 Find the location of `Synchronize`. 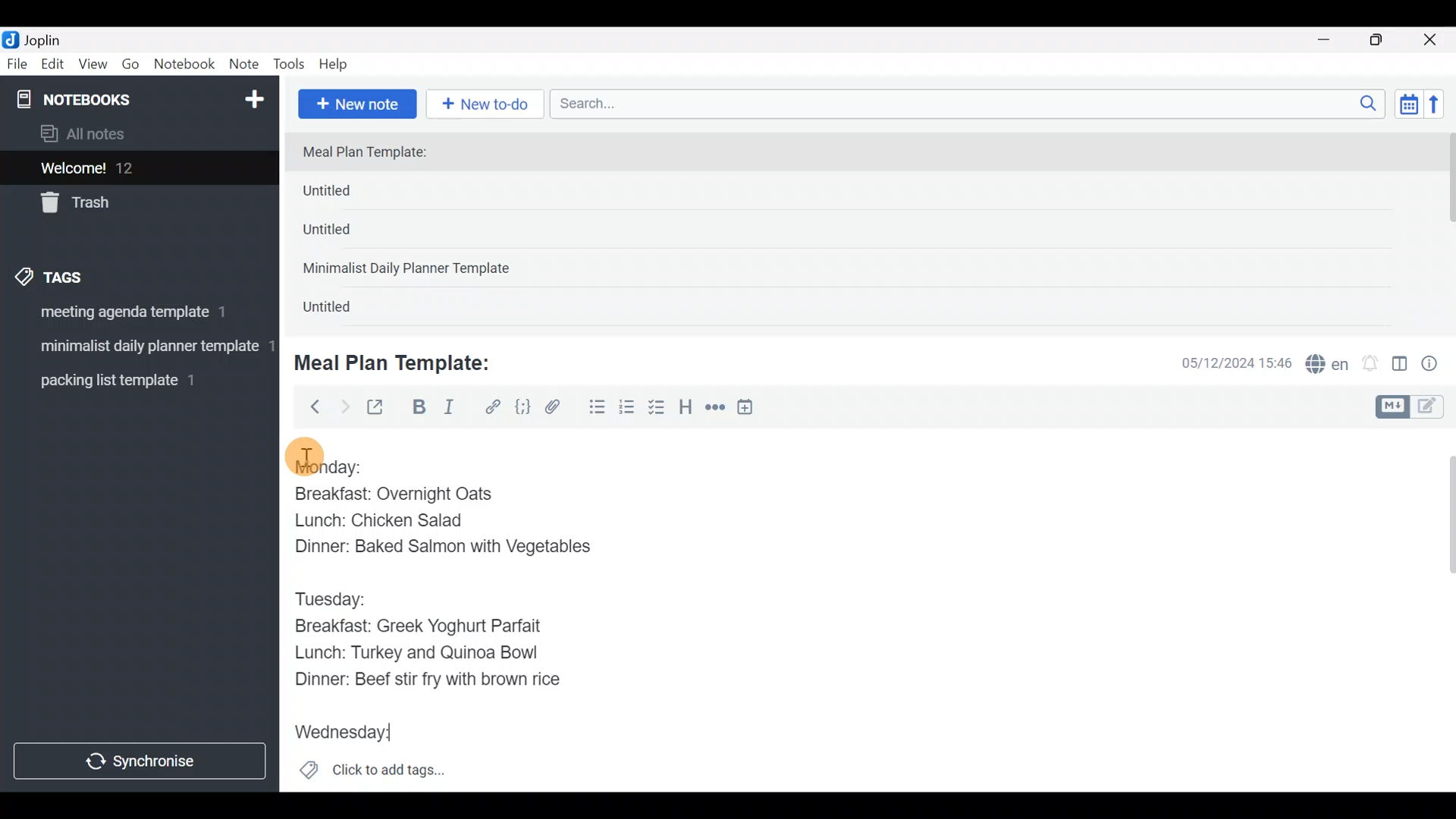

Synchronize is located at coordinates (142, 761).